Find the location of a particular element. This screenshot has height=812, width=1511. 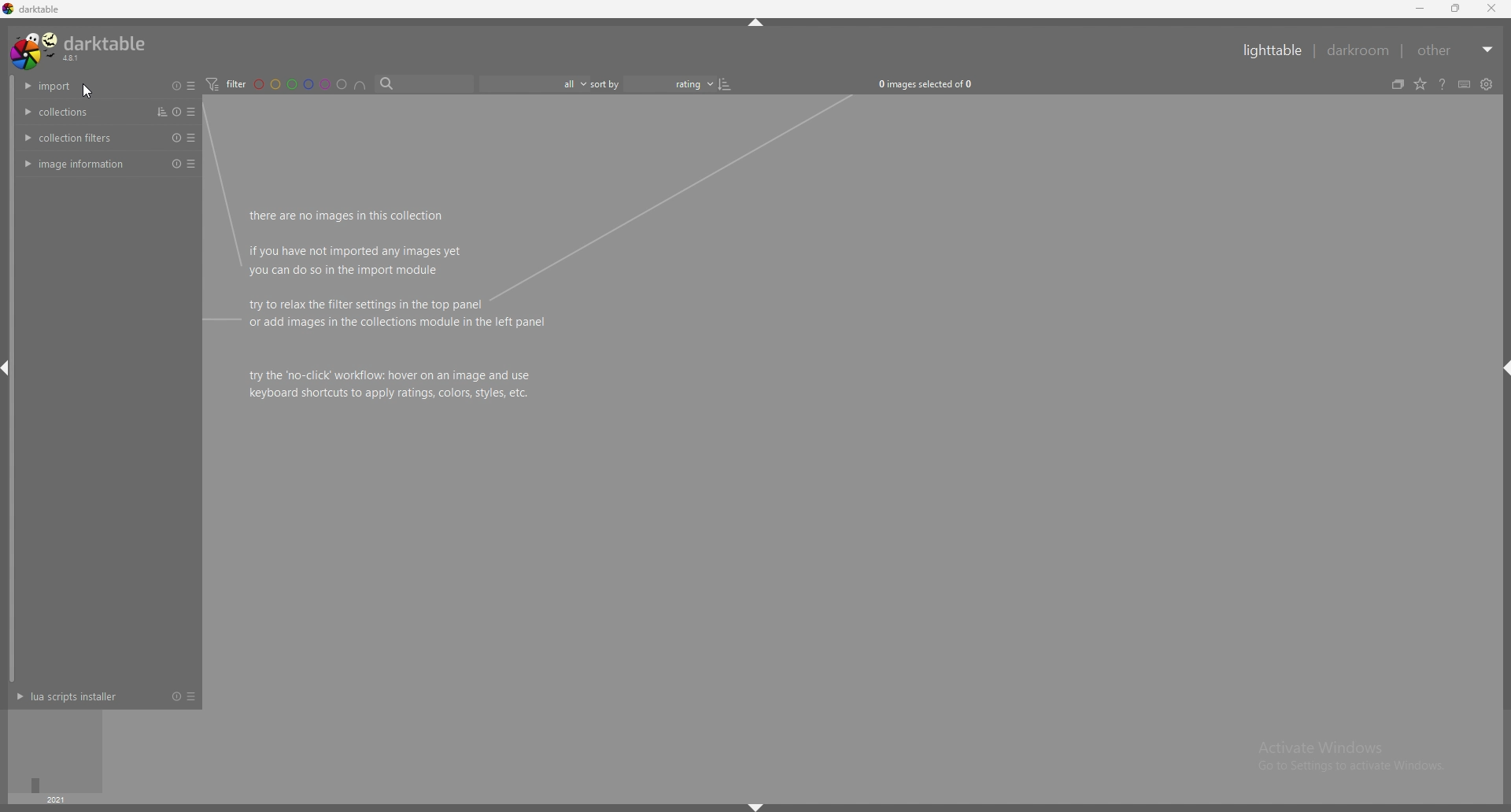

keyboard shortcuts is located at coordinates (1465, 85).